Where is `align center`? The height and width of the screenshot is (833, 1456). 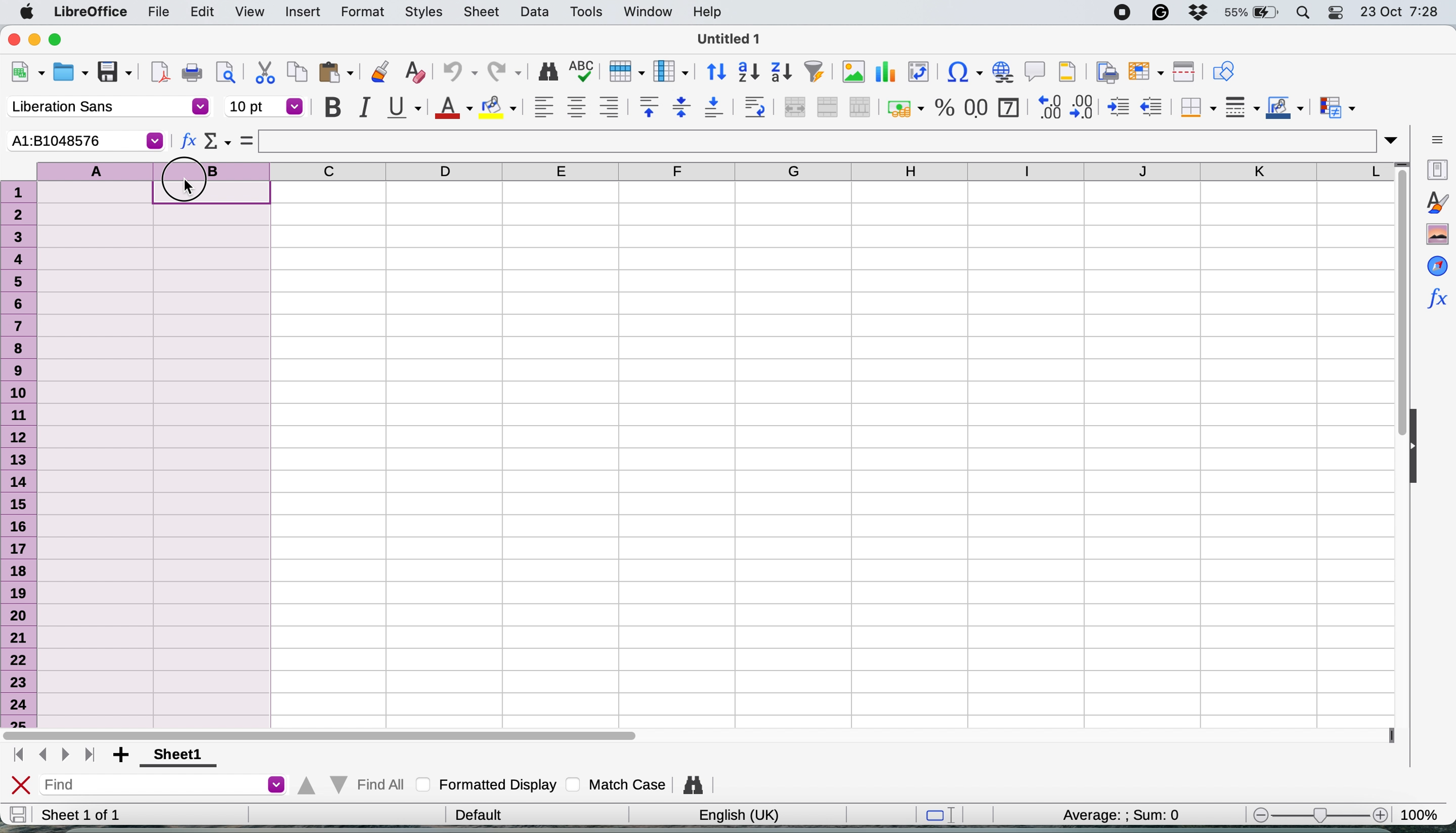 align center is located at coordinates (576, 106).